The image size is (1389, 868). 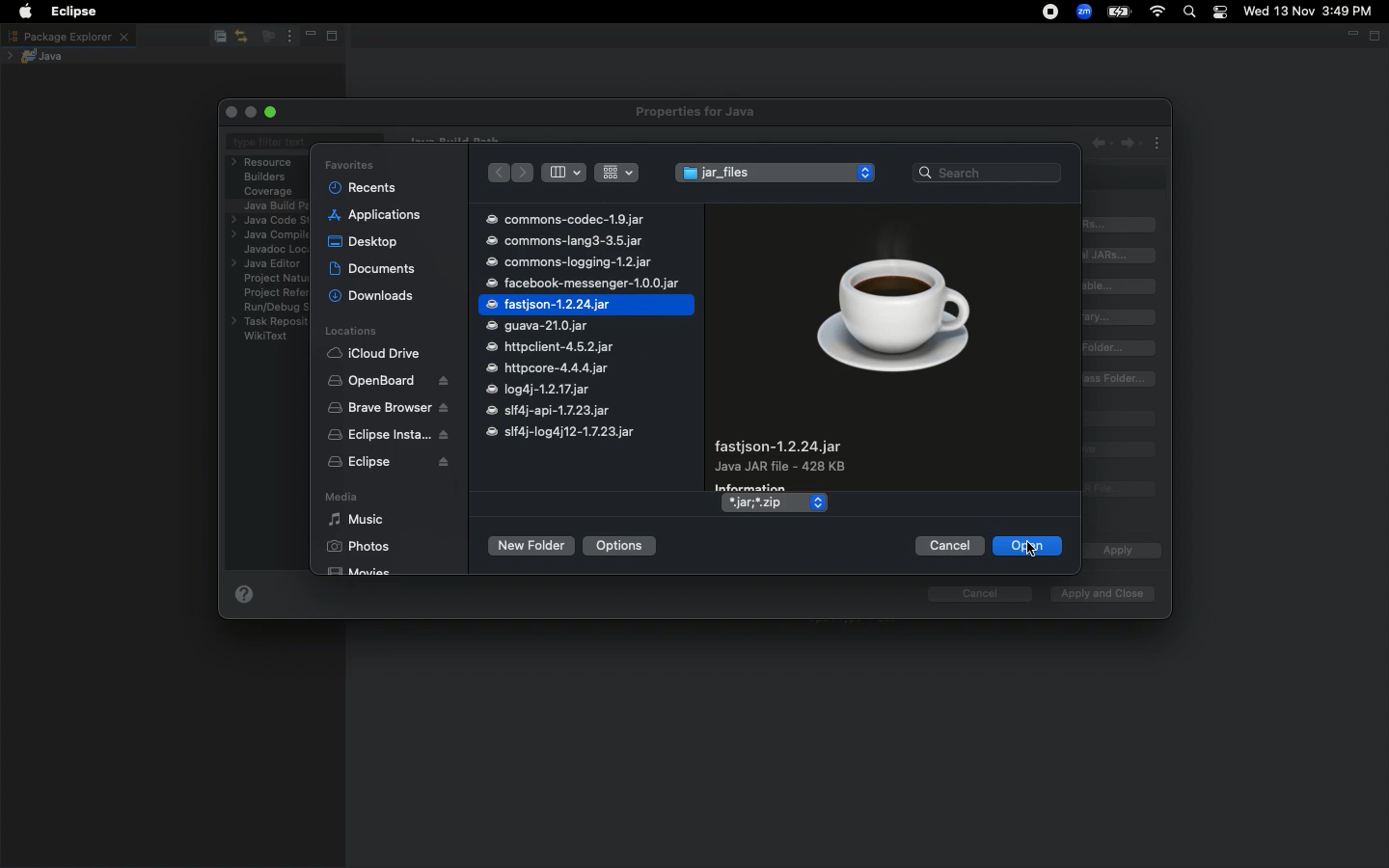 I want to click on Downloads, so click(x=372, y=296).